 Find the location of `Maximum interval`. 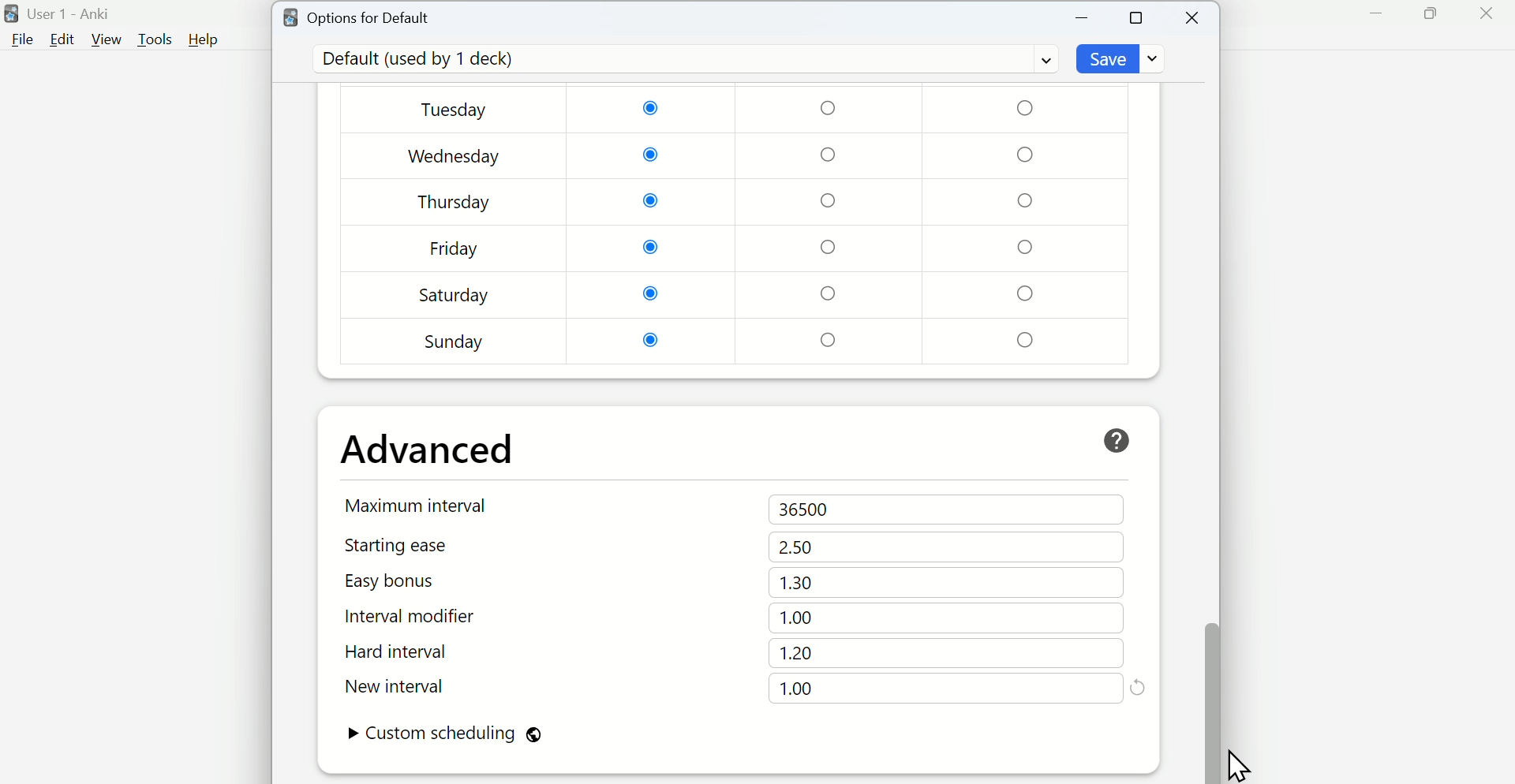

Maximum interval is located at coordinates (420, 505).